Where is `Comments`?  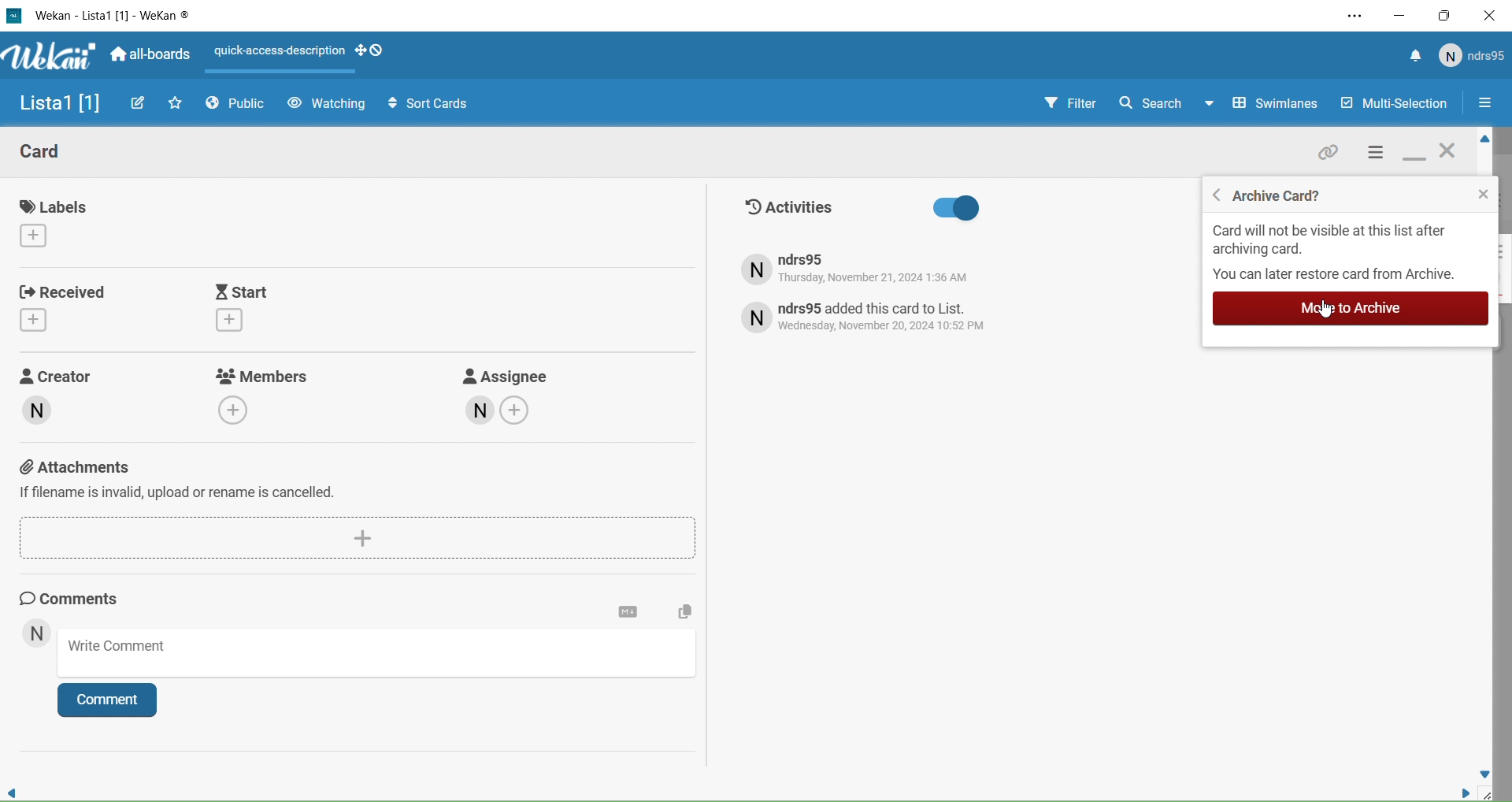 Comments is located at coordinates (87, 600).